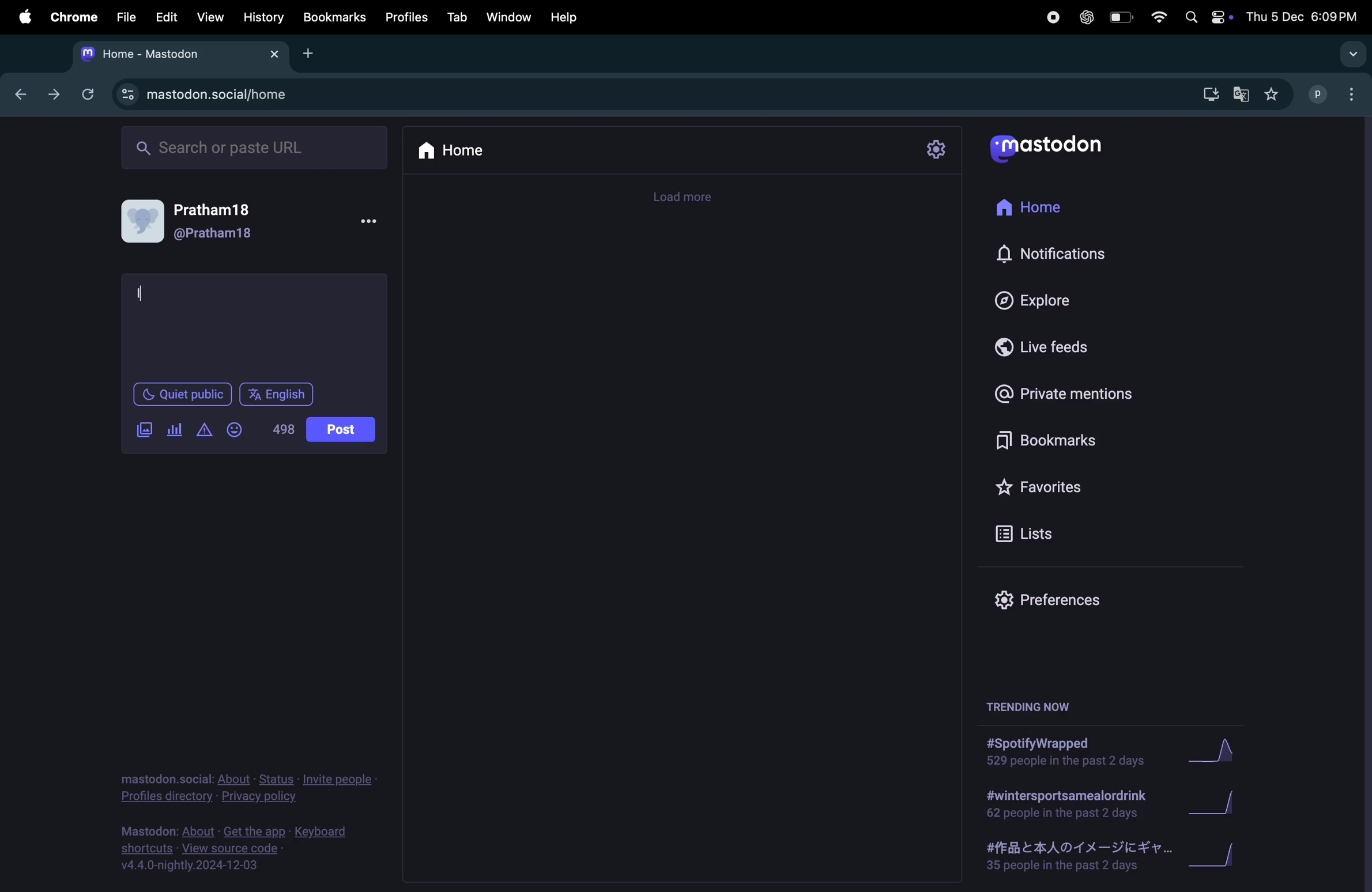 This screenshot has height=892, width=1372. Describe the element at coordinates (1046, 346) in the screenshot. I see `Live feeds` at that location.